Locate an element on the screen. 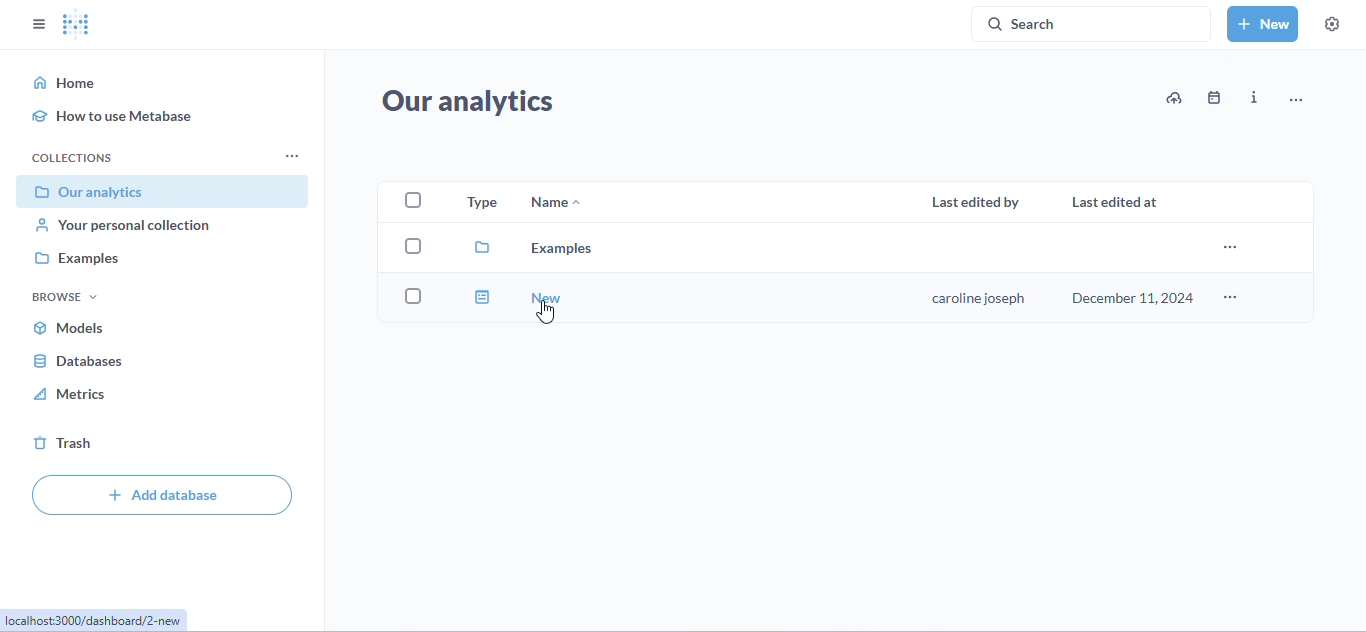 The image size is (1366, 632). collections is located at coordinates (73, 158).